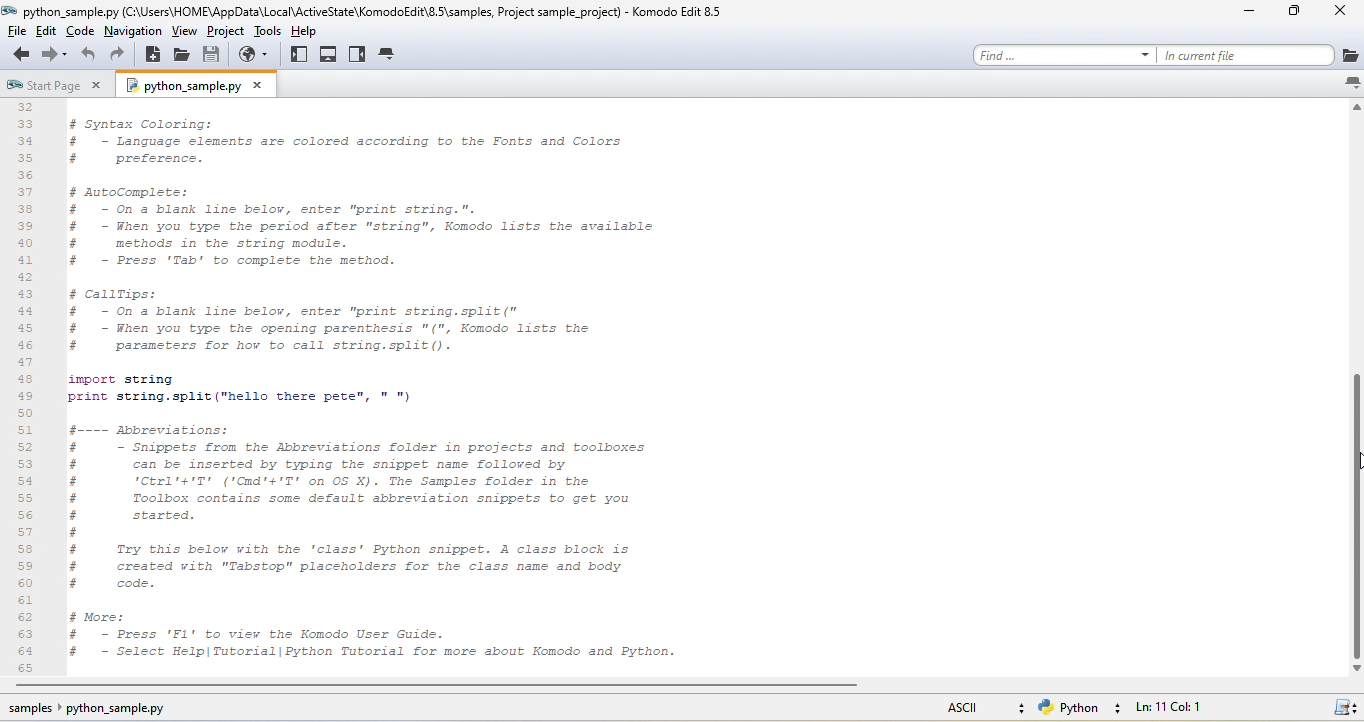 This screenshot has width=1364, height=722. Describe the element at coordinates (1082, 708) in the screenshot. I see `python` at that location.